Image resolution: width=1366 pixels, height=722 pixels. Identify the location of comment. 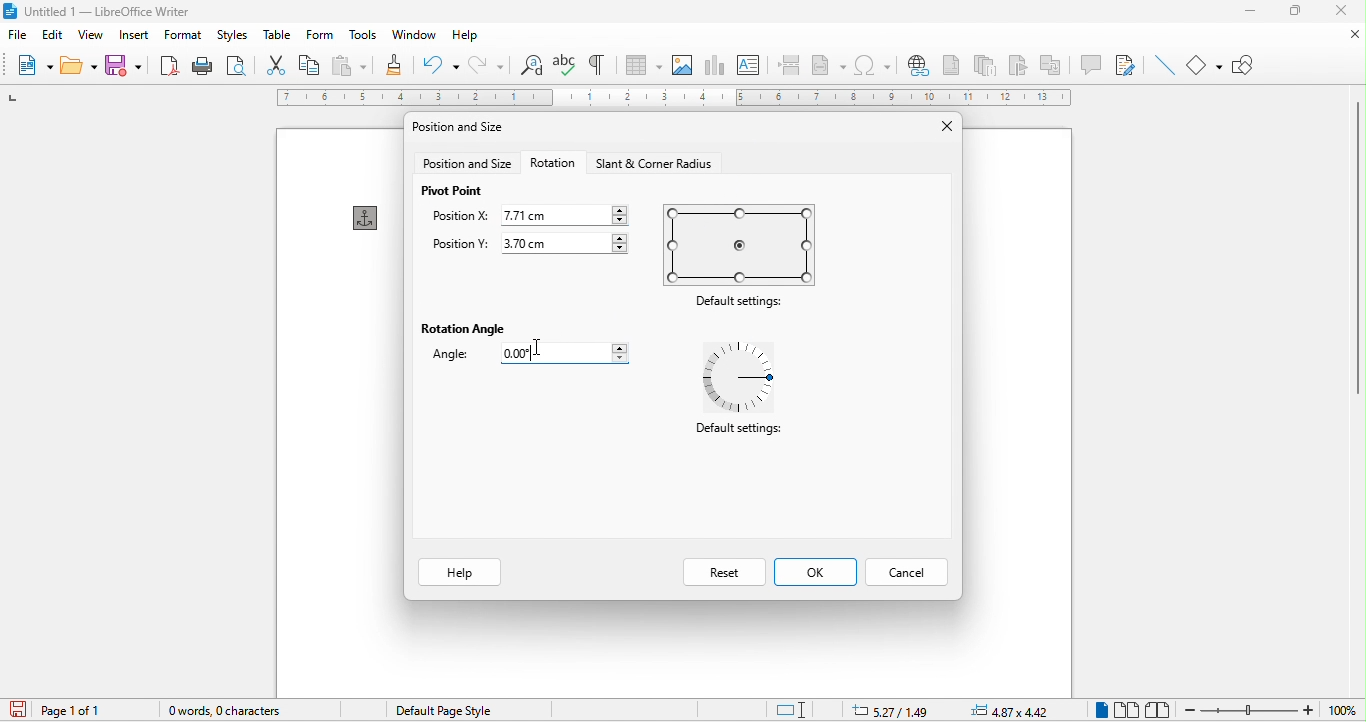
(1091, 64).